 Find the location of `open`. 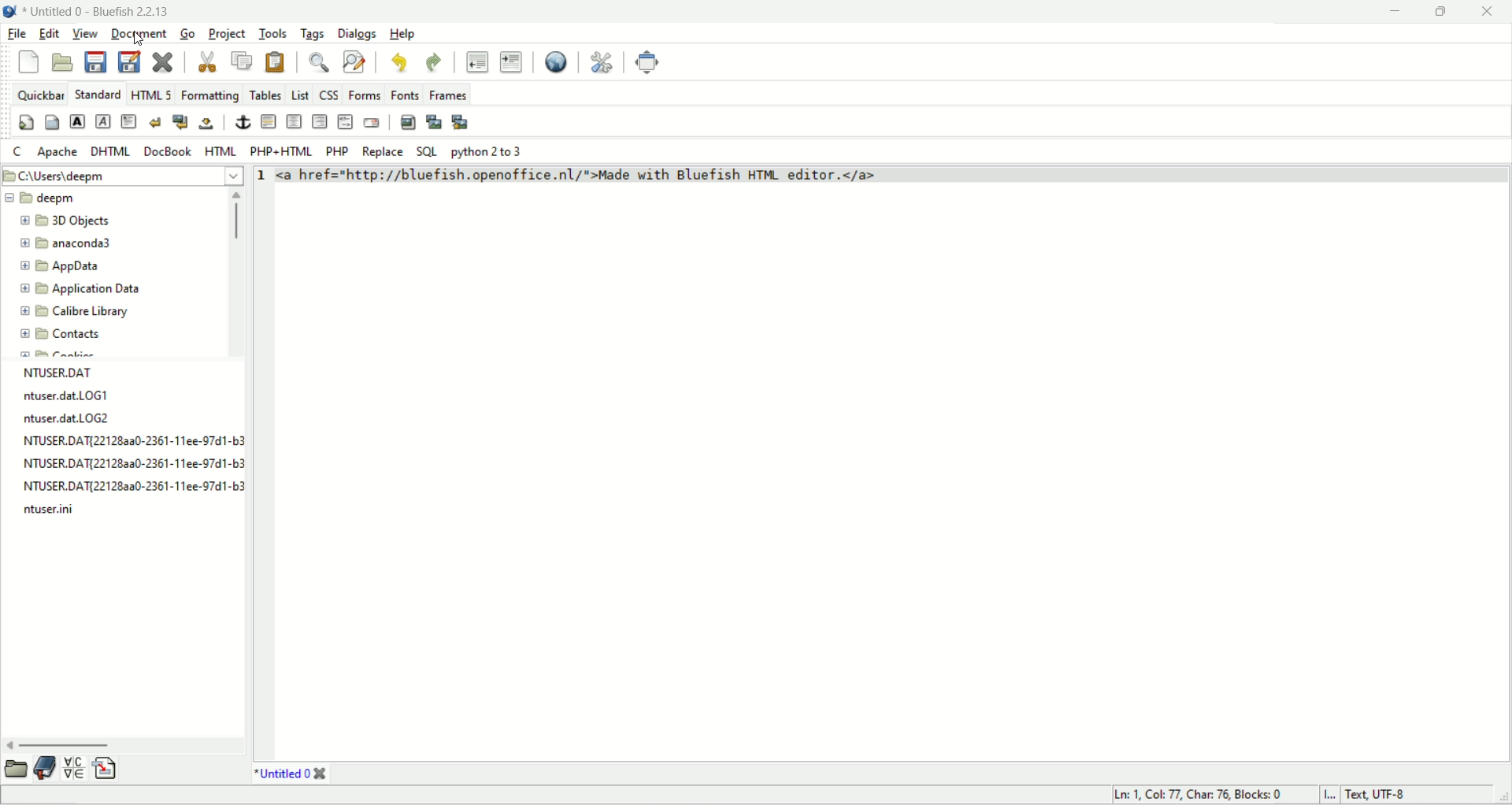

open is located at coordinates (14, 770).